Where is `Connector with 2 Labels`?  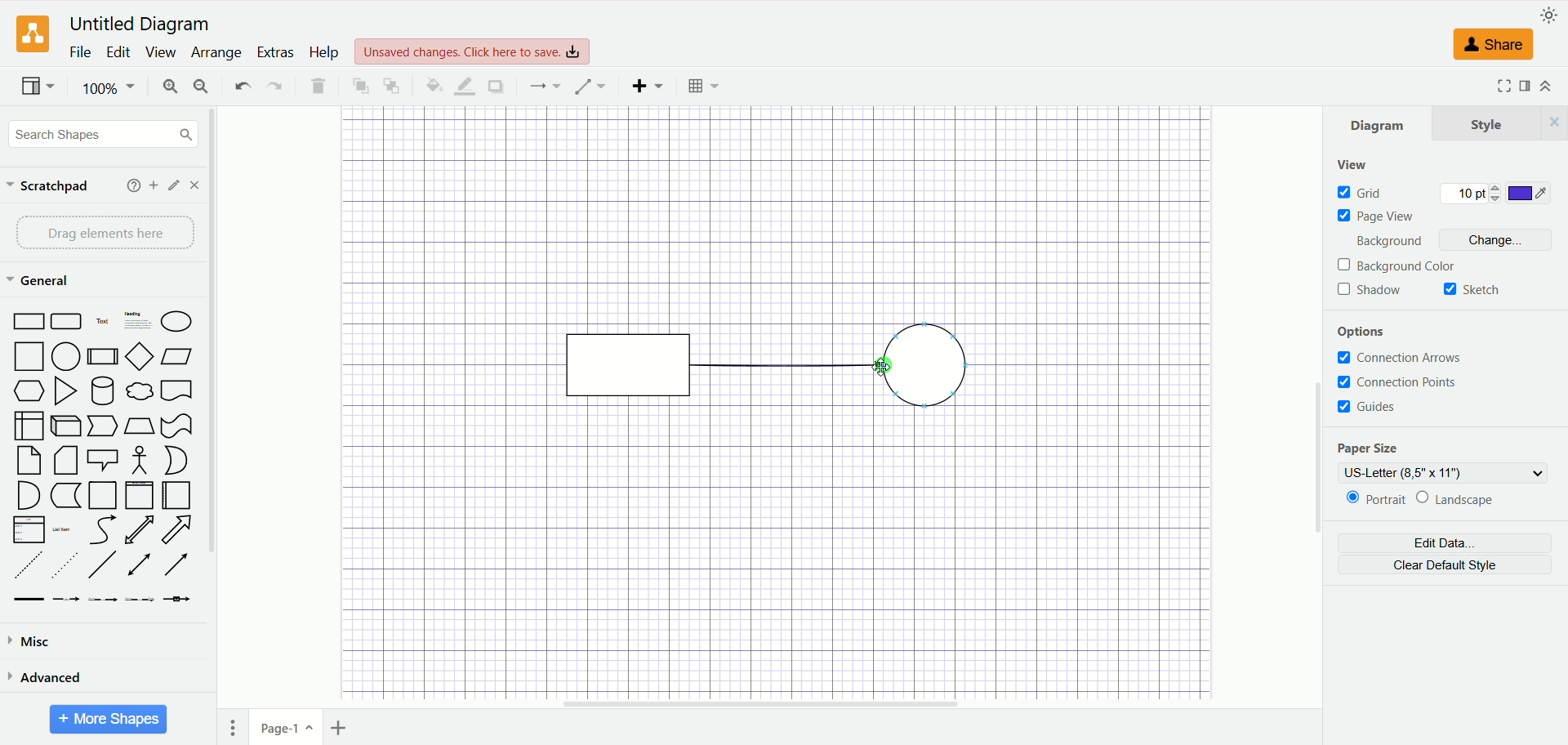 Connector with 2 Labels is located at coordinates (104, 603).